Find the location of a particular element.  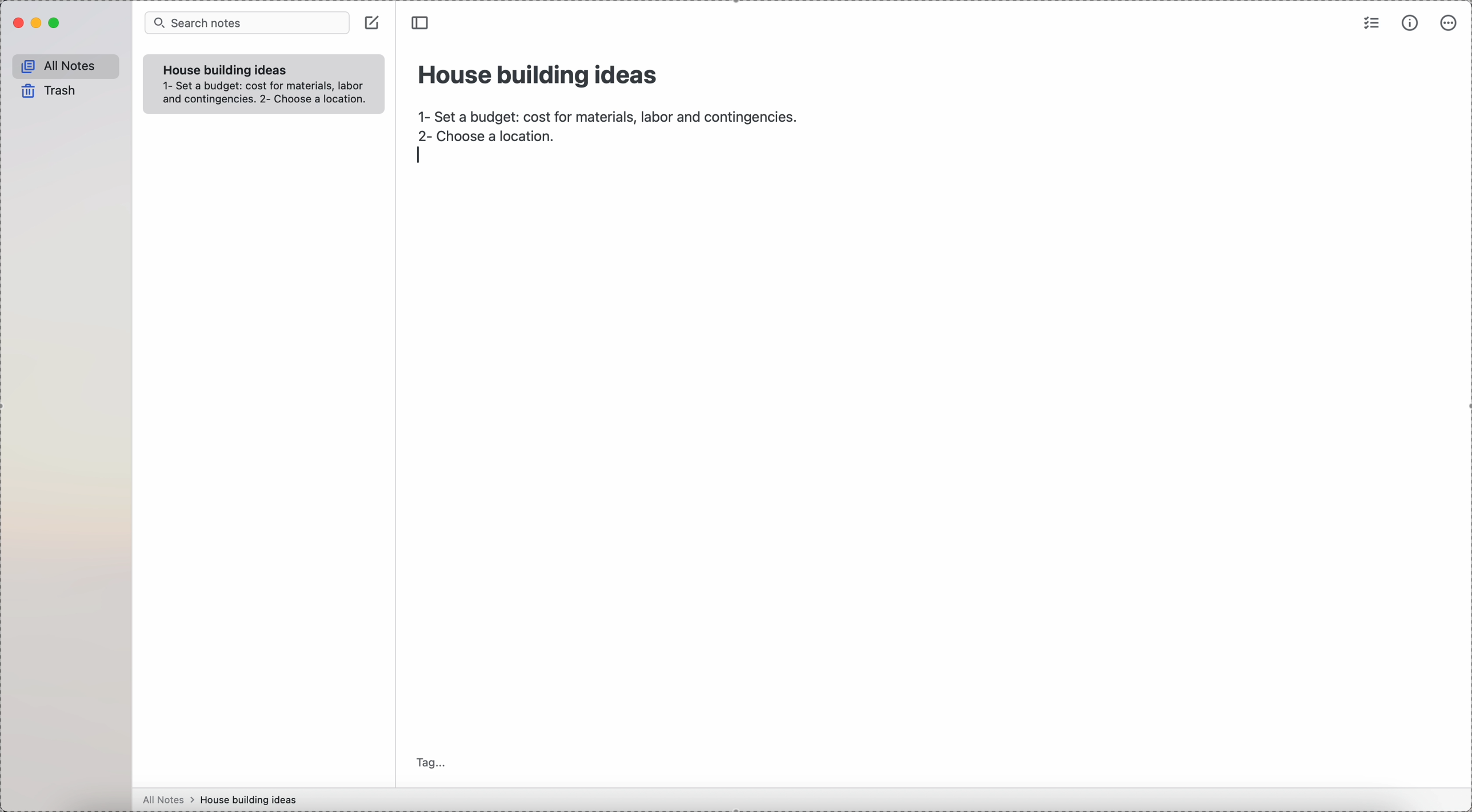

close Simplenote is located at coordinates (18, 23).